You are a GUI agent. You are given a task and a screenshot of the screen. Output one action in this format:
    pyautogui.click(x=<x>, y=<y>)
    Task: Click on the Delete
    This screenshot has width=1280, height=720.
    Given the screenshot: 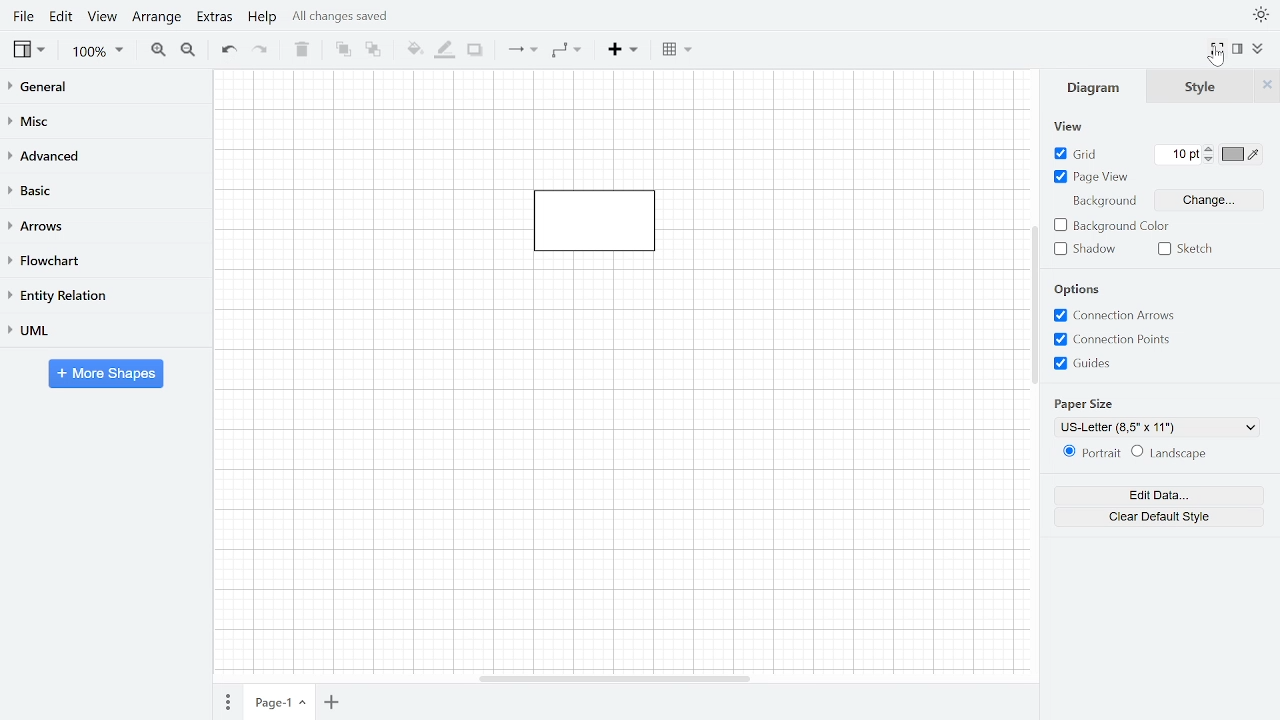 What is the action you would take?
    pyautogui.click(x=301, y=50)
    